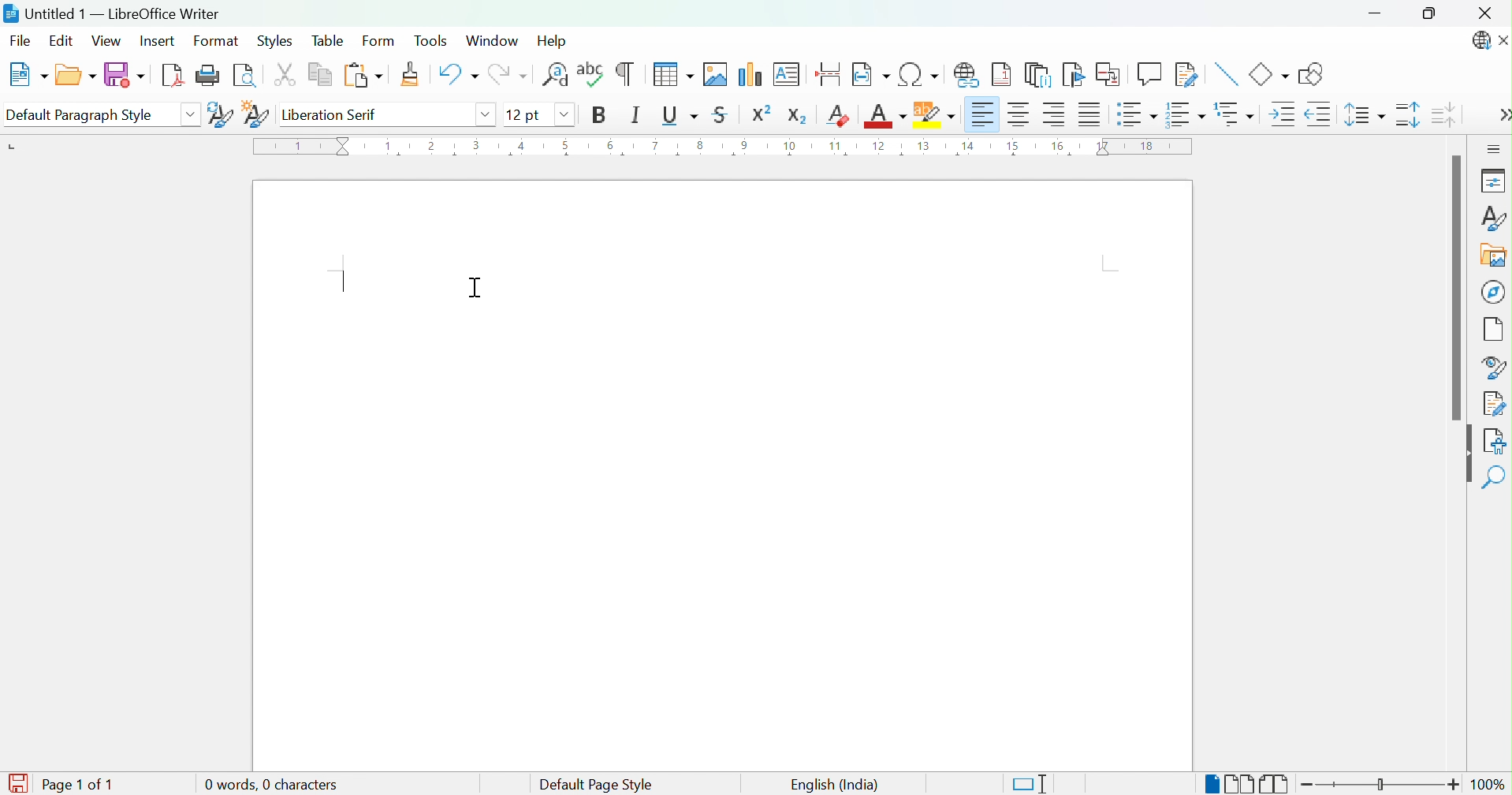 Image resolution: width=1512 pixels, height=795 pixels. What do you see at coordinates (124, 76) in the screenshot?
I see `Save` at bounding box center [124, 76].